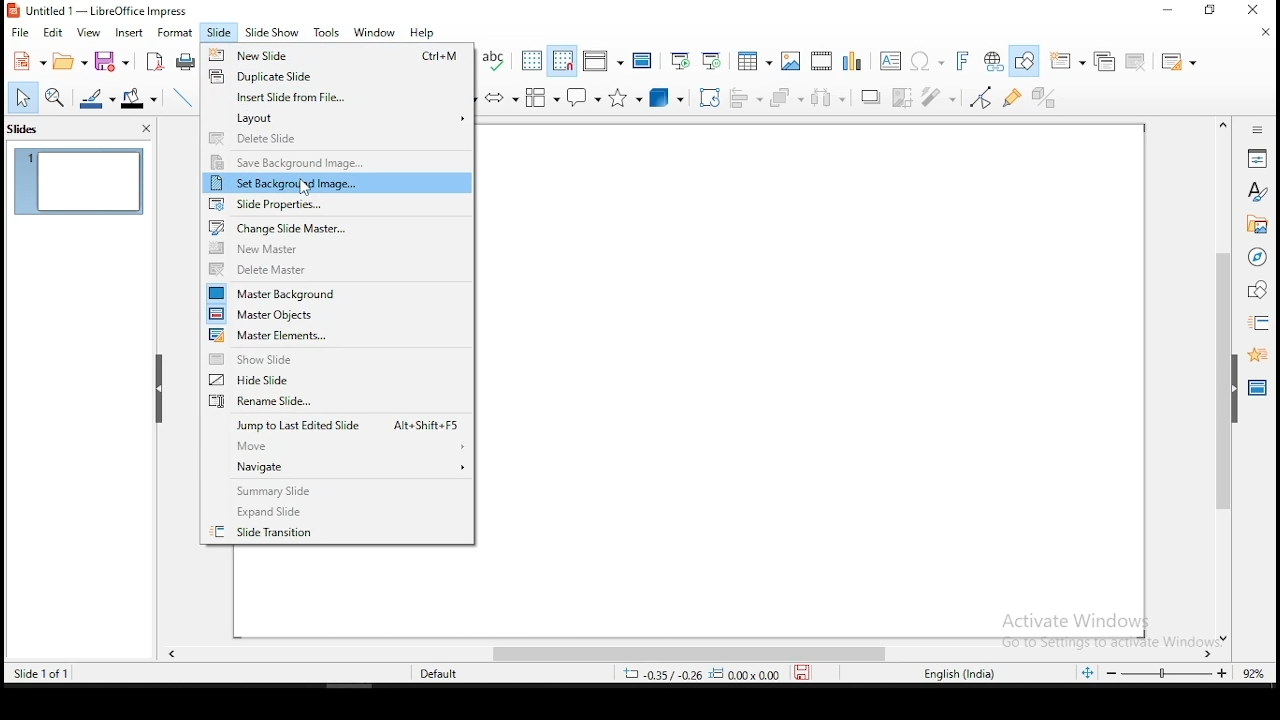 Image resolution: width=1280 pixels, height=720 pixels. Describe the element at coordinates (336, 182) in the screenshot. I see `set background image` at that location.